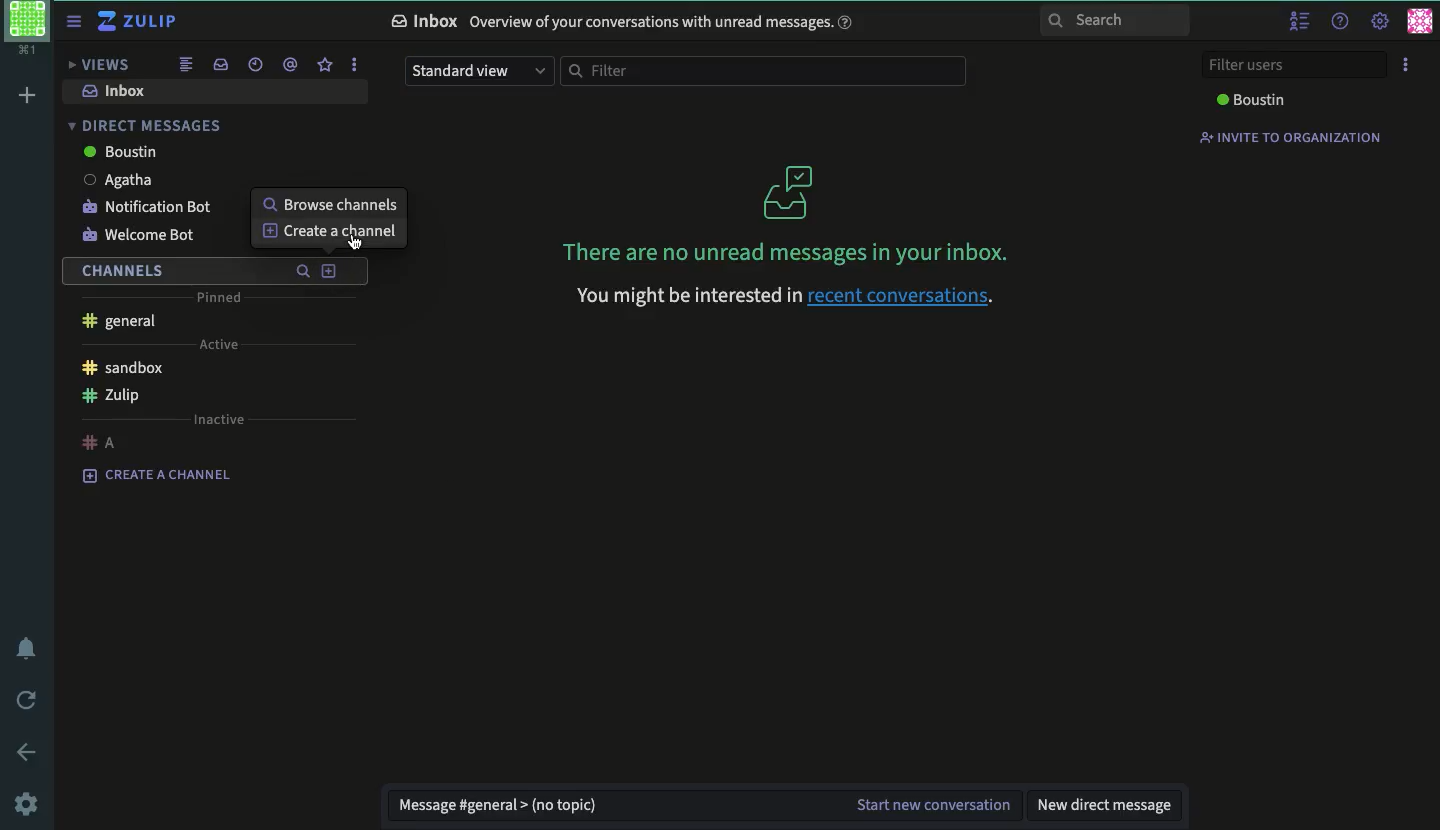 Image resolution: width=1440 pixels, height=830 pixels. Describe the element at coordinates (1379, 20) in the screenshot. I see `settings` at that location.